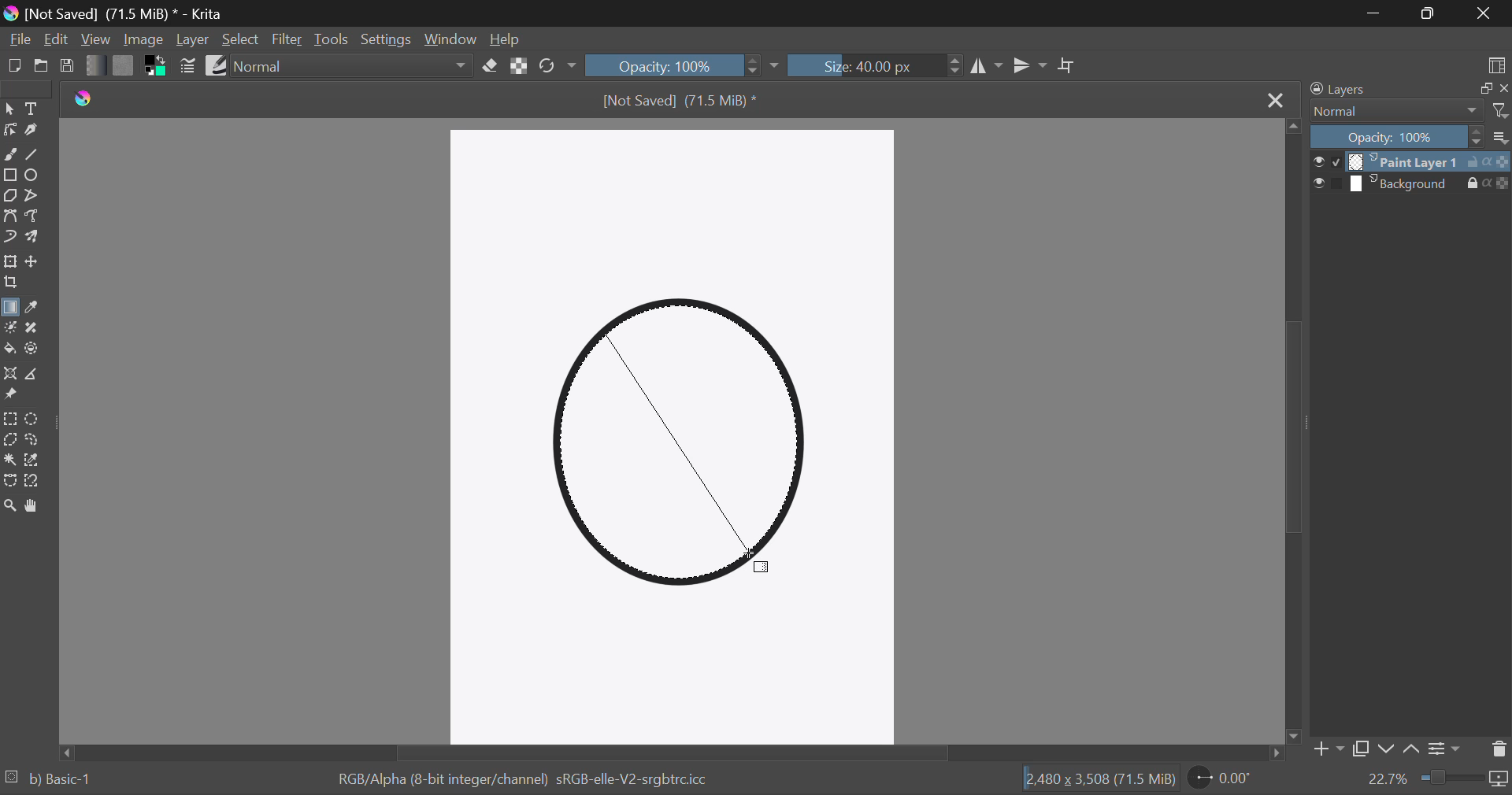 The height and width of the screenshot is (795, 1512). Describe the element at coordinates (1500, 138) in the screenshot. I see `more` at that location.